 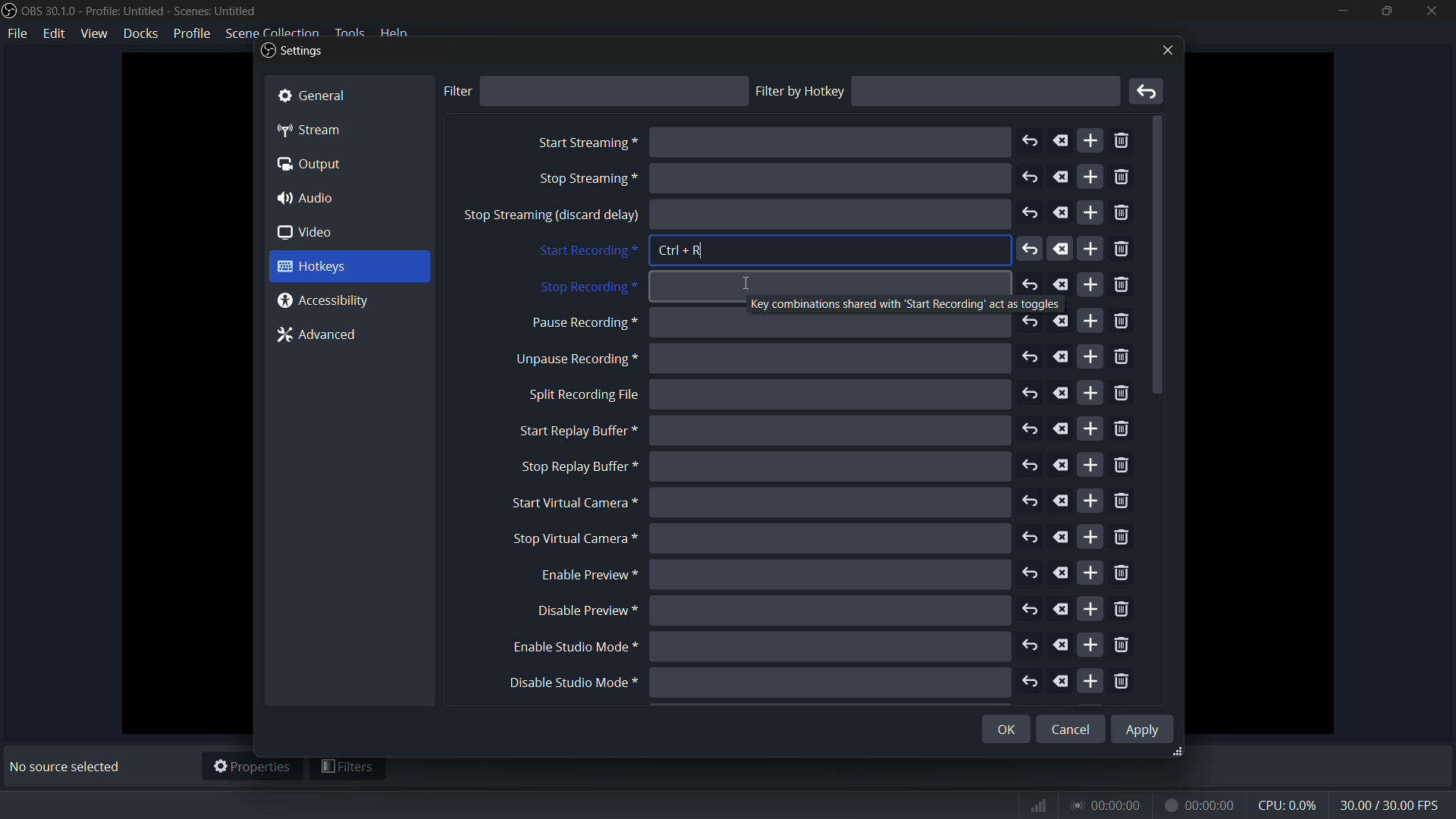 I want to click on delete, so click(x=1061, y=285).